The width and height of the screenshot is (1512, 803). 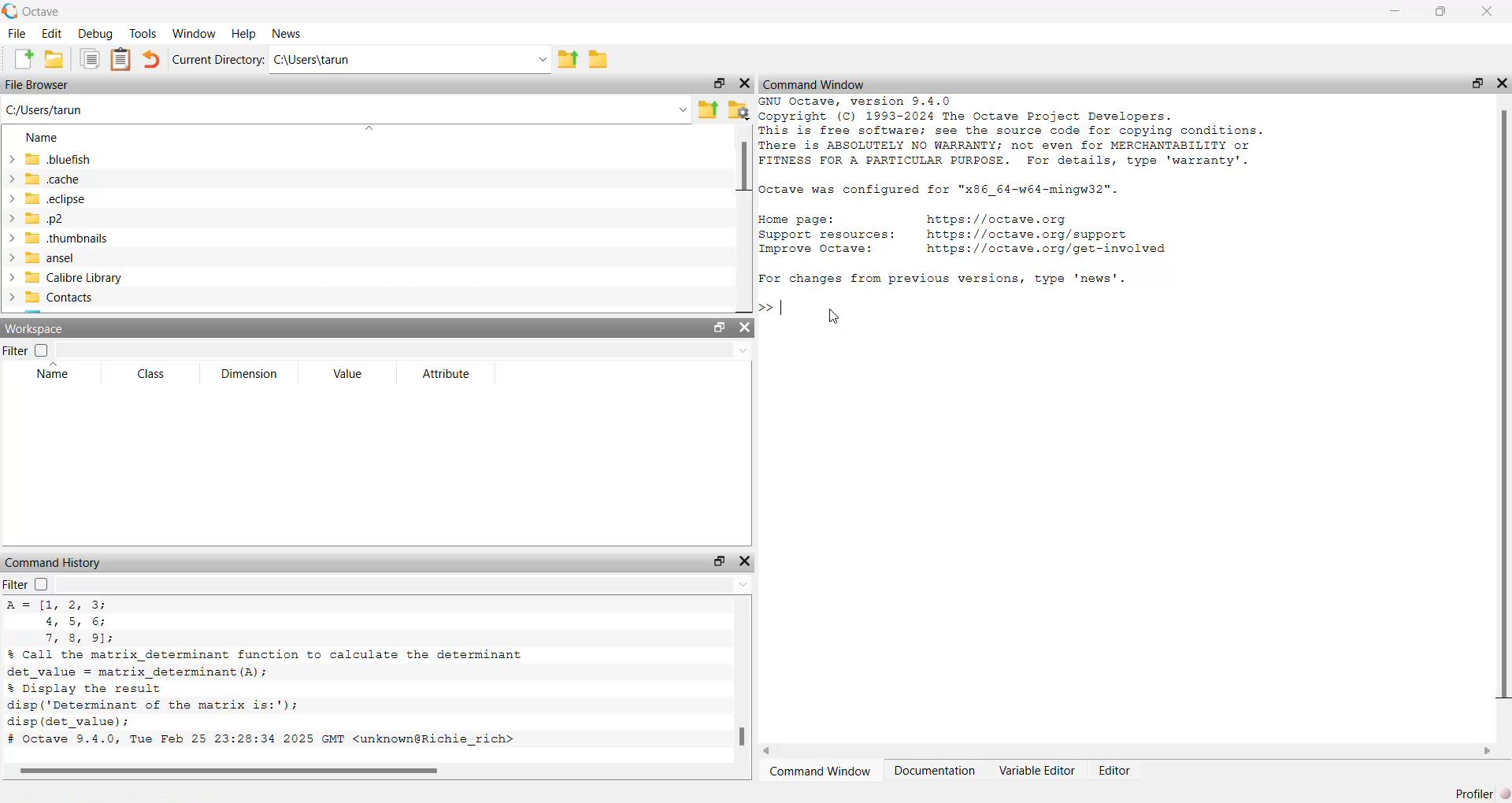 What do you see at coordinates (354, 771) in the screenshot?
I see `scrollbar` at bounding box center [354, 771].